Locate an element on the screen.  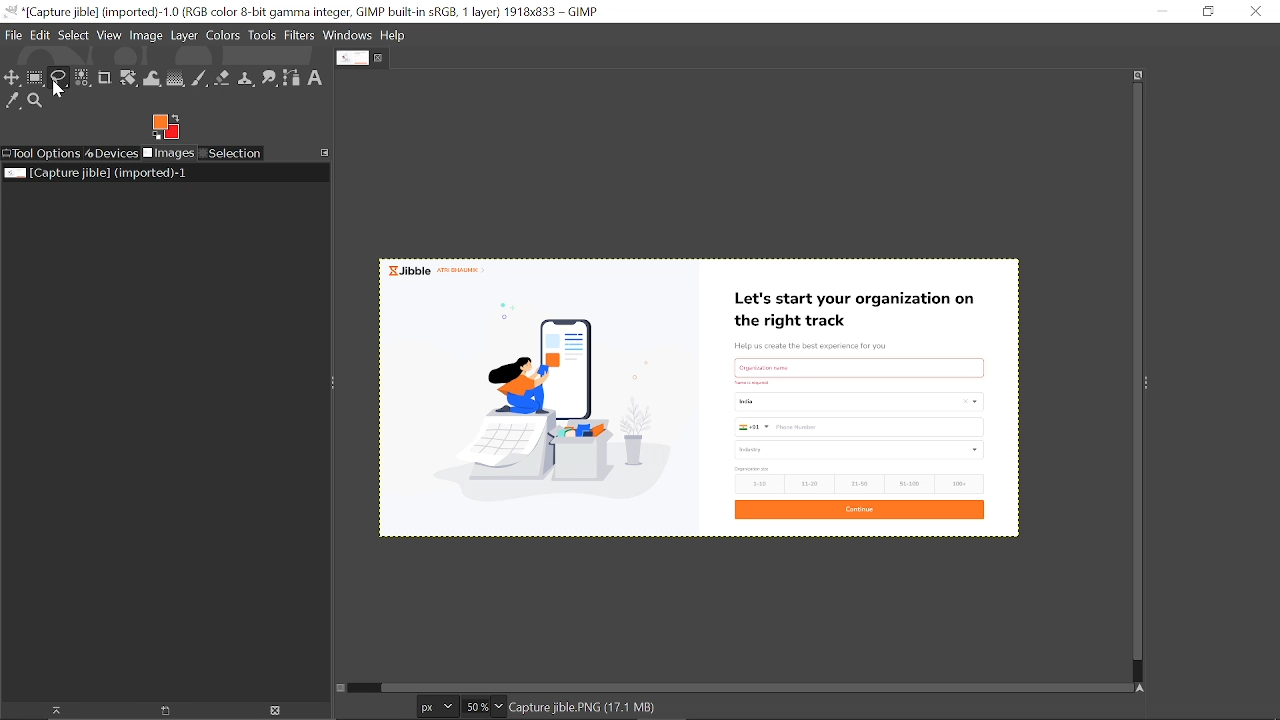
Unified transform tool is located at coordinates (128, 79).